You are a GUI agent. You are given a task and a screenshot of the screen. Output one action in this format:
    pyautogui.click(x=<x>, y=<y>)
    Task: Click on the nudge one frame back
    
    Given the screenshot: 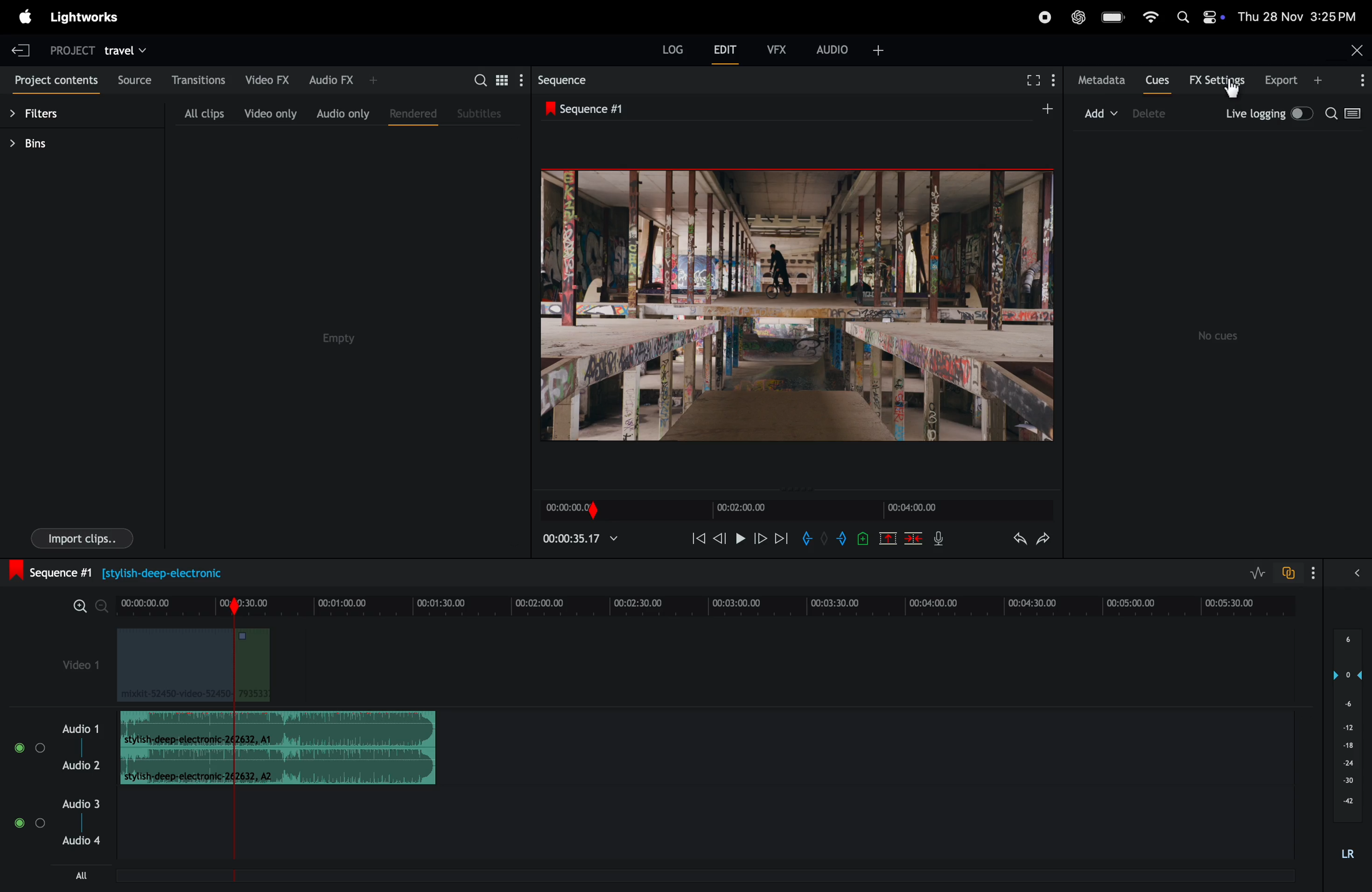 What is the action you would take?
    pyautogui.click(x=720, y=542)
    